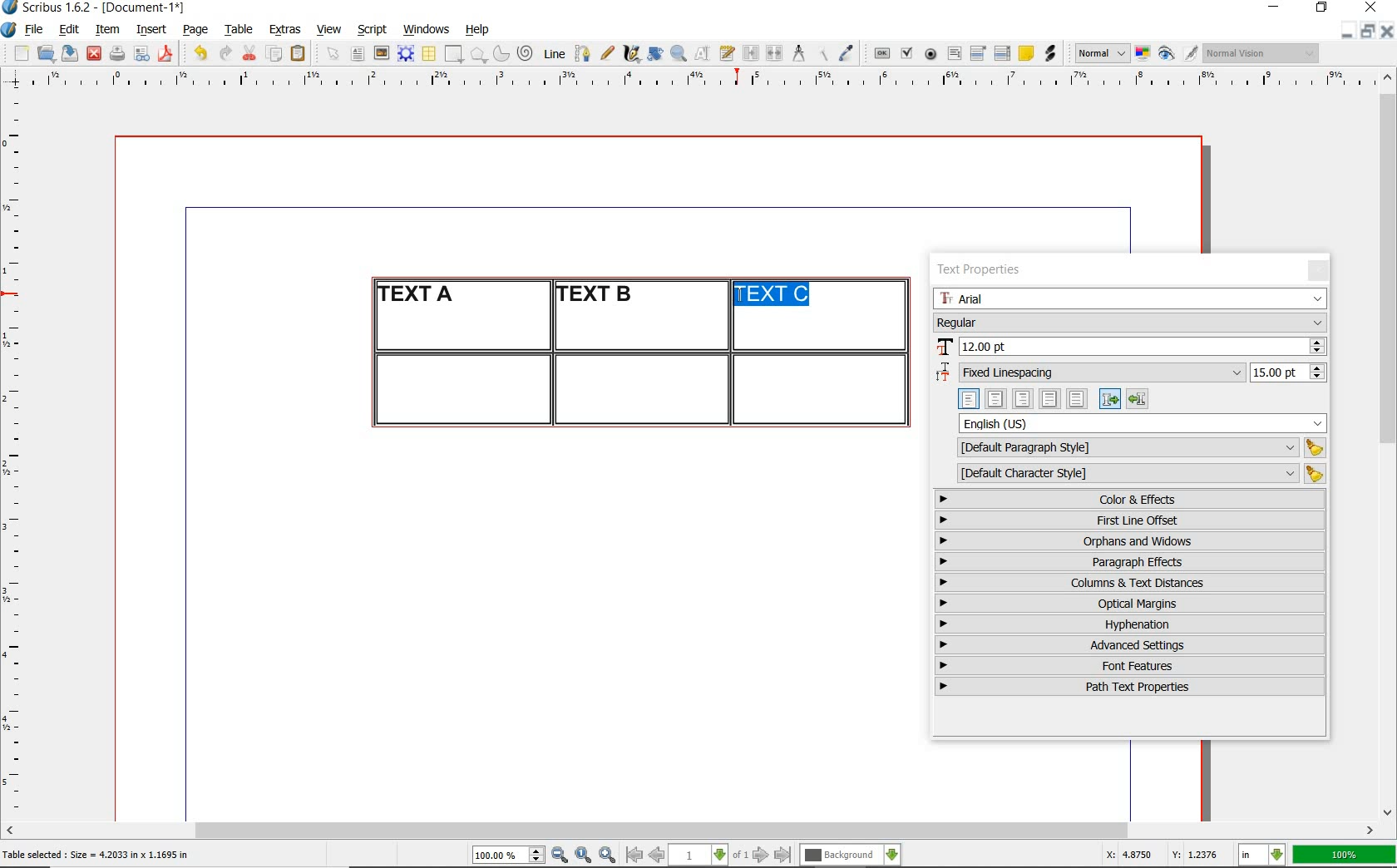  Describe the element at coordinates (1128, 542) in the screenshot. I see `orphans & windows` at that location.